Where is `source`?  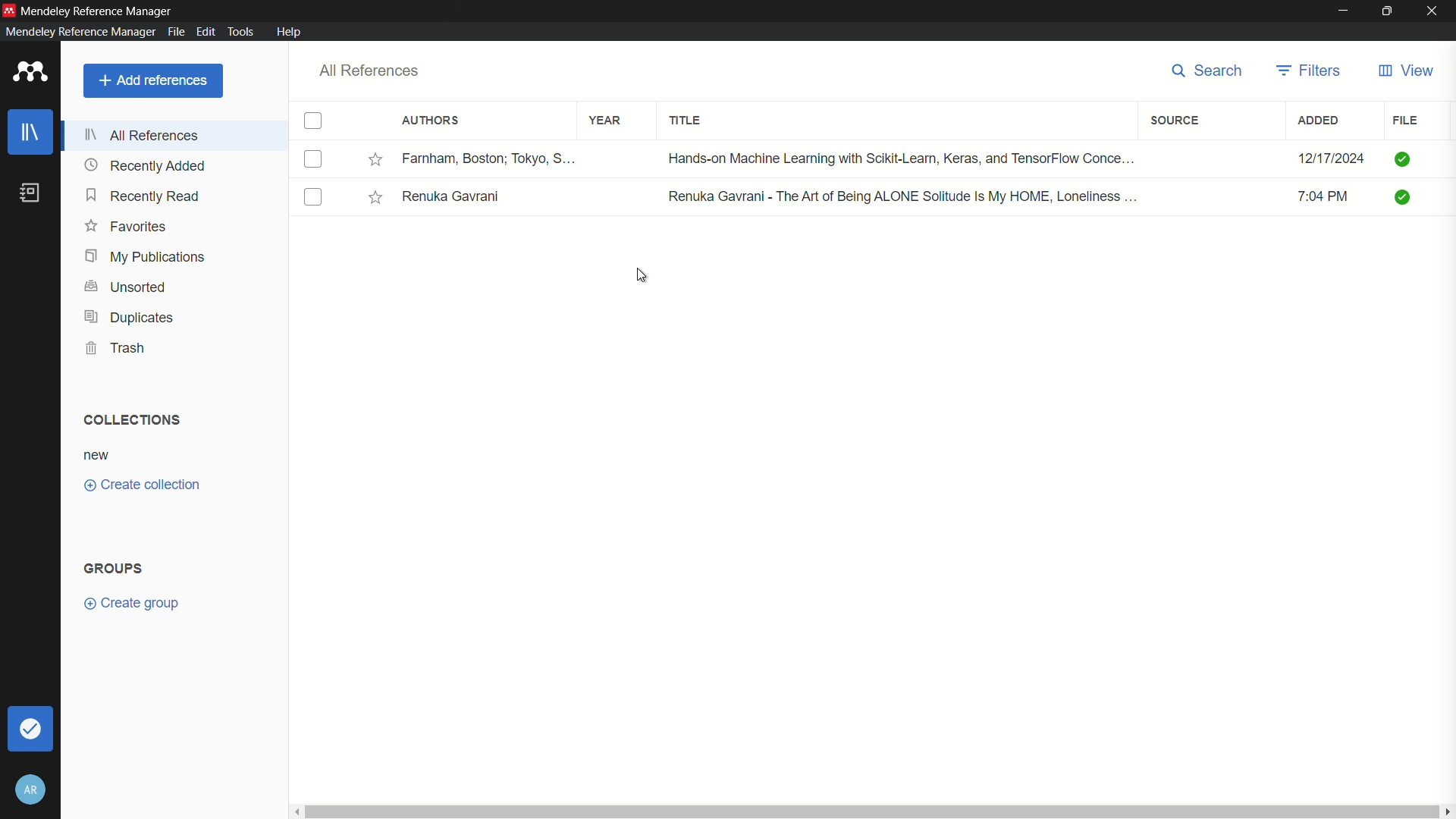 source is located at coordinates (1175, 121).